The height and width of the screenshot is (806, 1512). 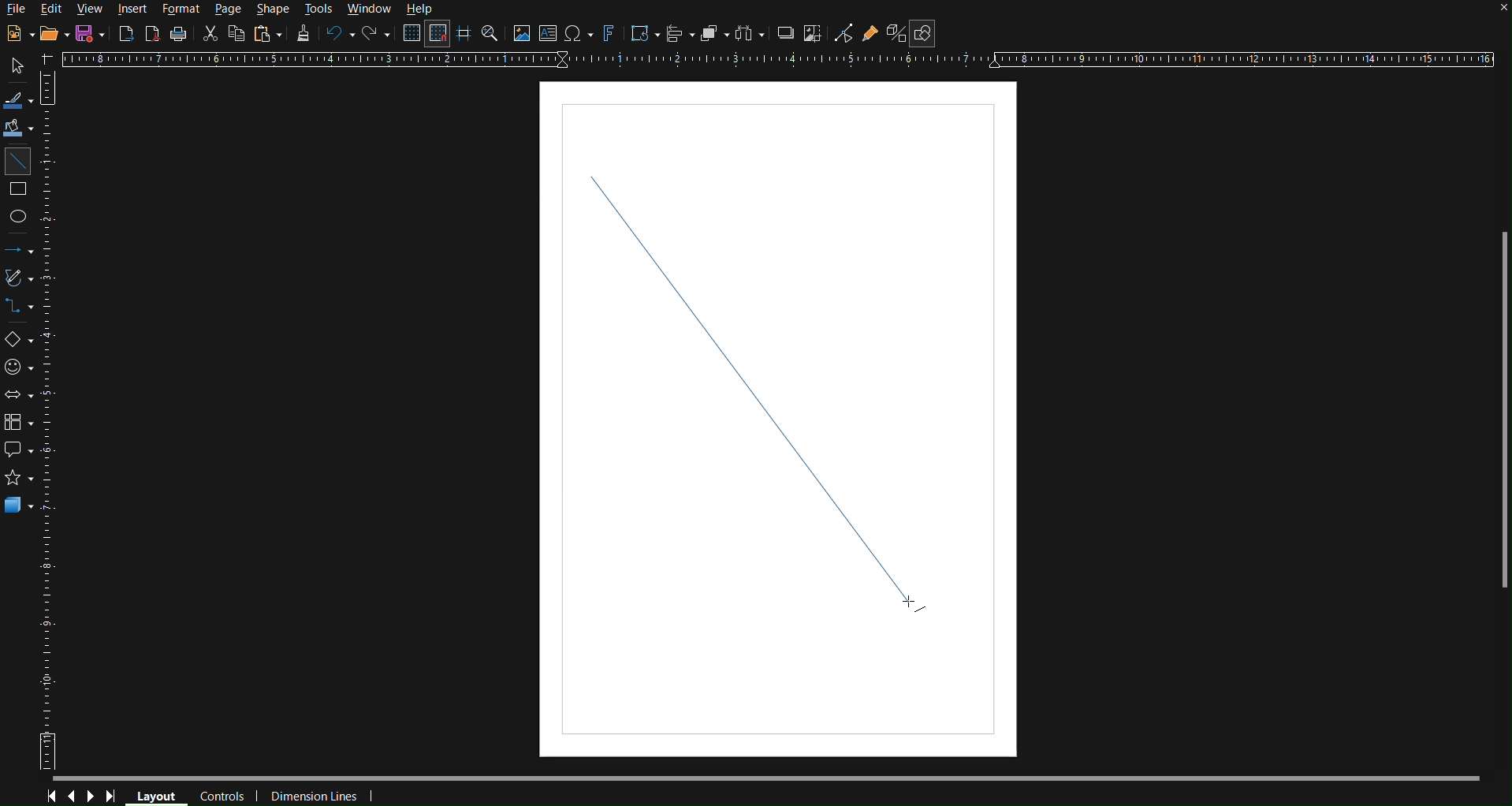 What do you see at coordinates (680, 33) in the screenshot?
I see `Align Objects` at bounding box center [680, 33].